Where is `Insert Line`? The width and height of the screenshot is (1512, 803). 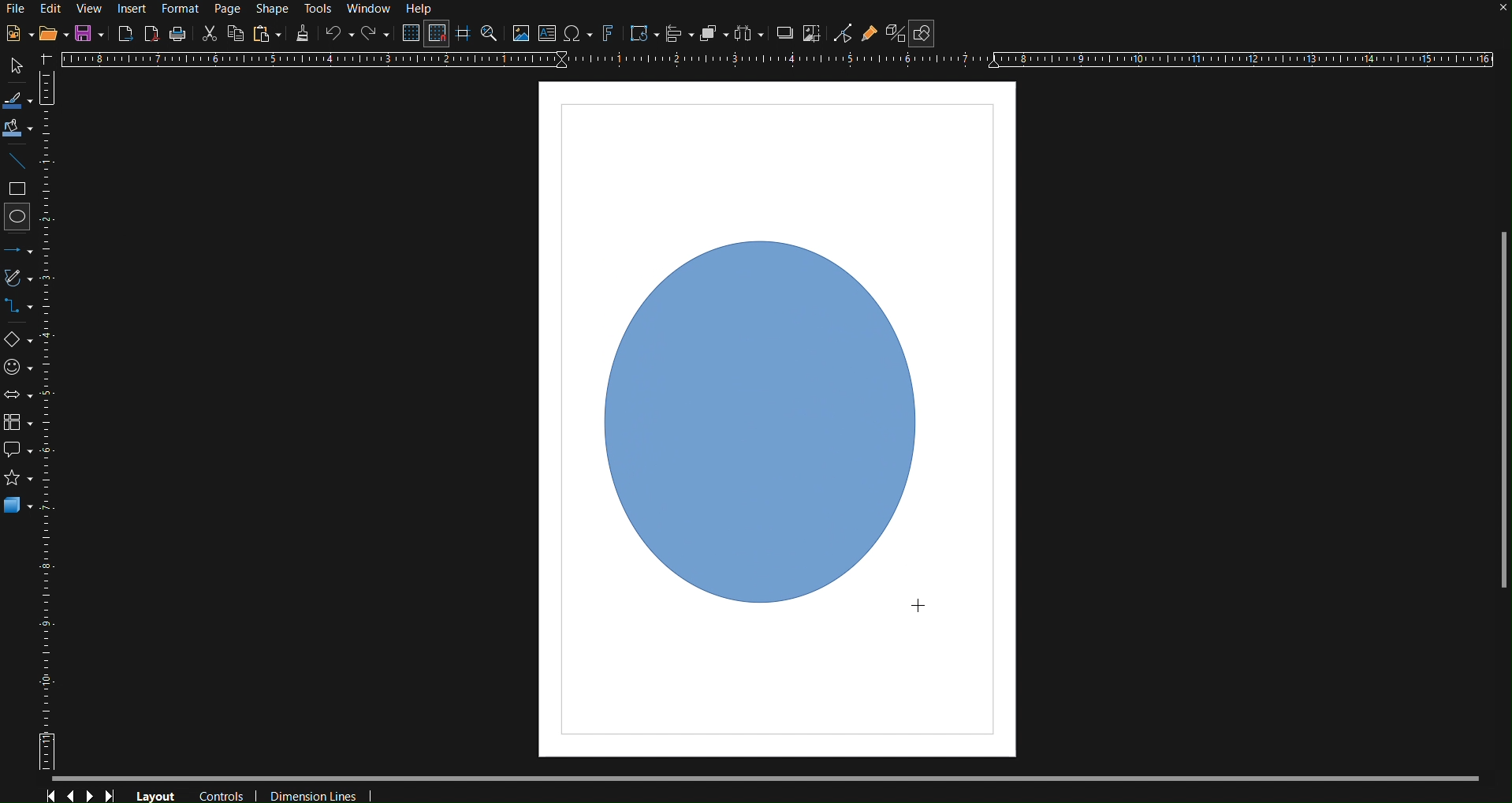 Insert Line is located at coordinates (20, 164).